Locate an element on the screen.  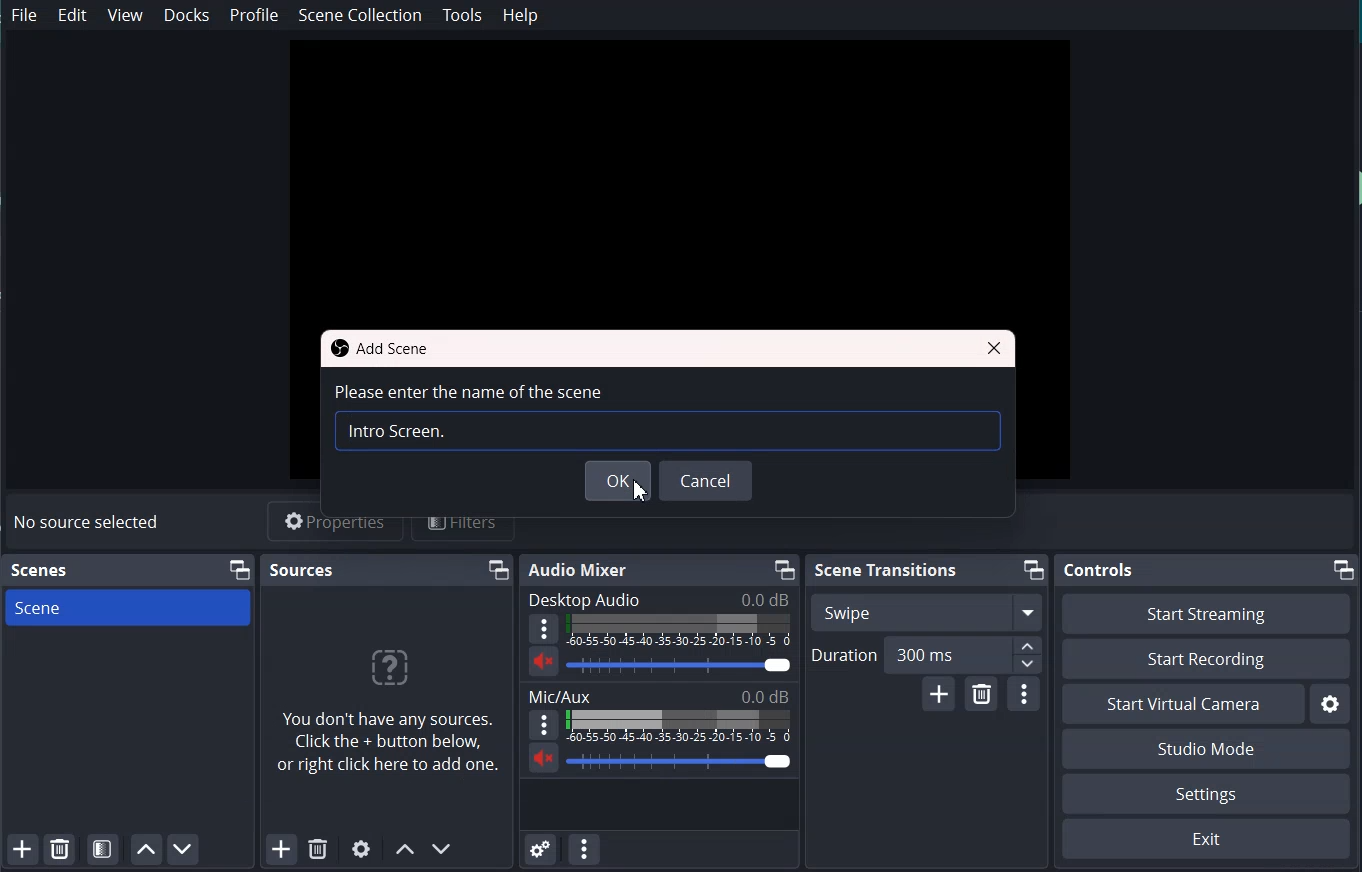
Remove Selected Scene is located at coordinates (60, 848).